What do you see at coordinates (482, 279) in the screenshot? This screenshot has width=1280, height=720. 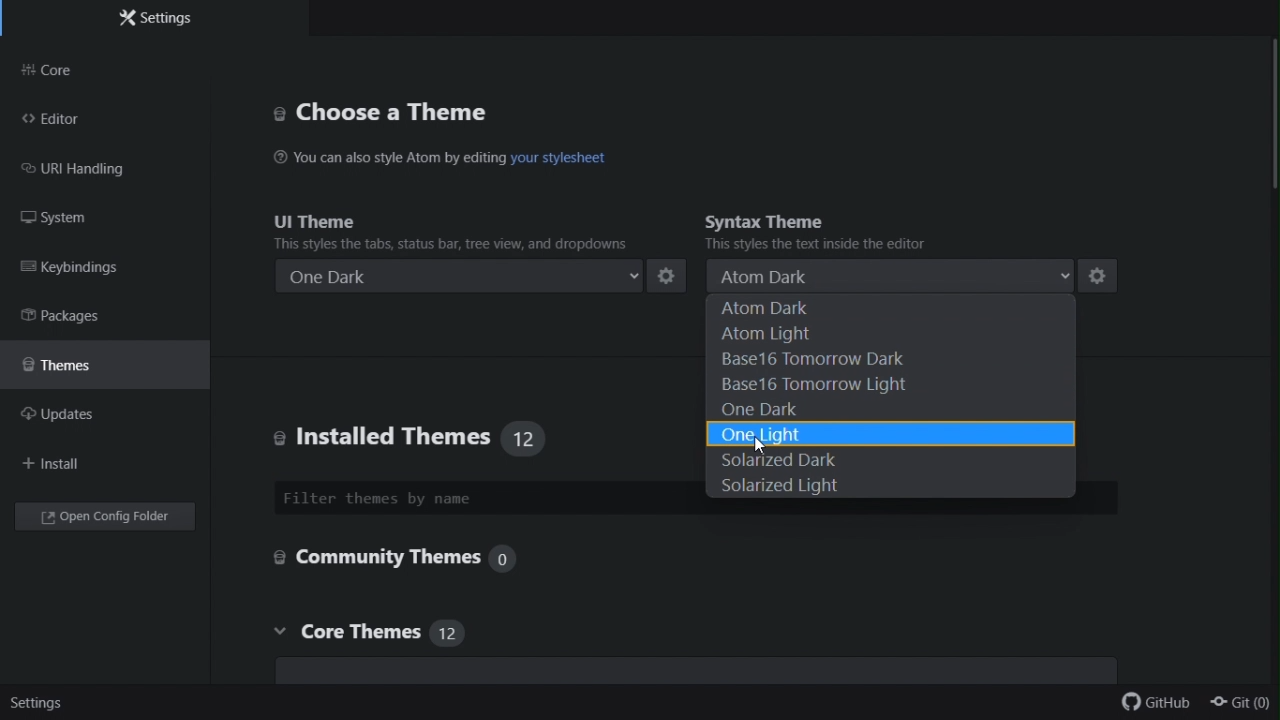 I see `One dark` at bounding box center [482, 279].